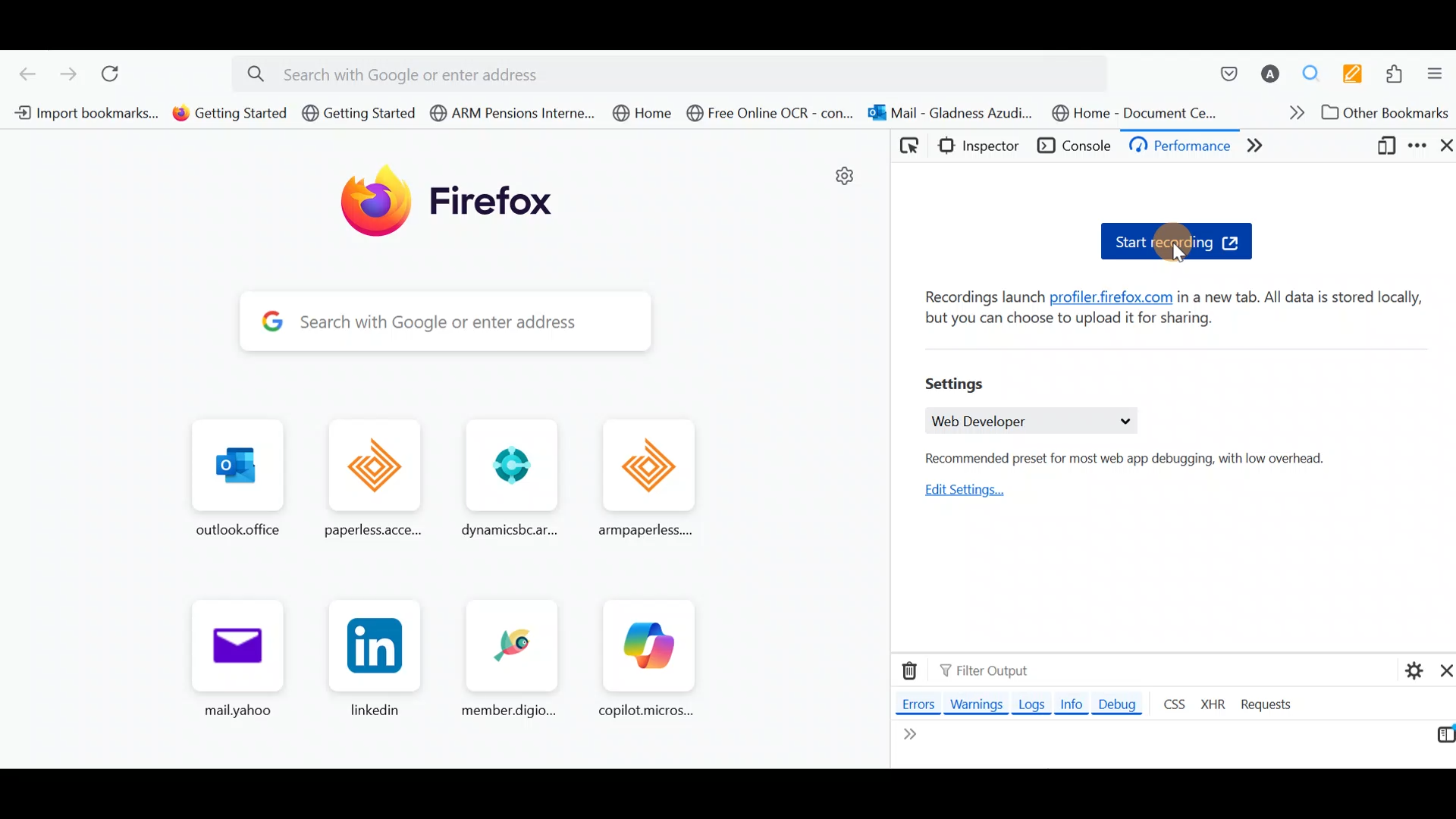  I want to click on Edit settings, so click(968, 497).